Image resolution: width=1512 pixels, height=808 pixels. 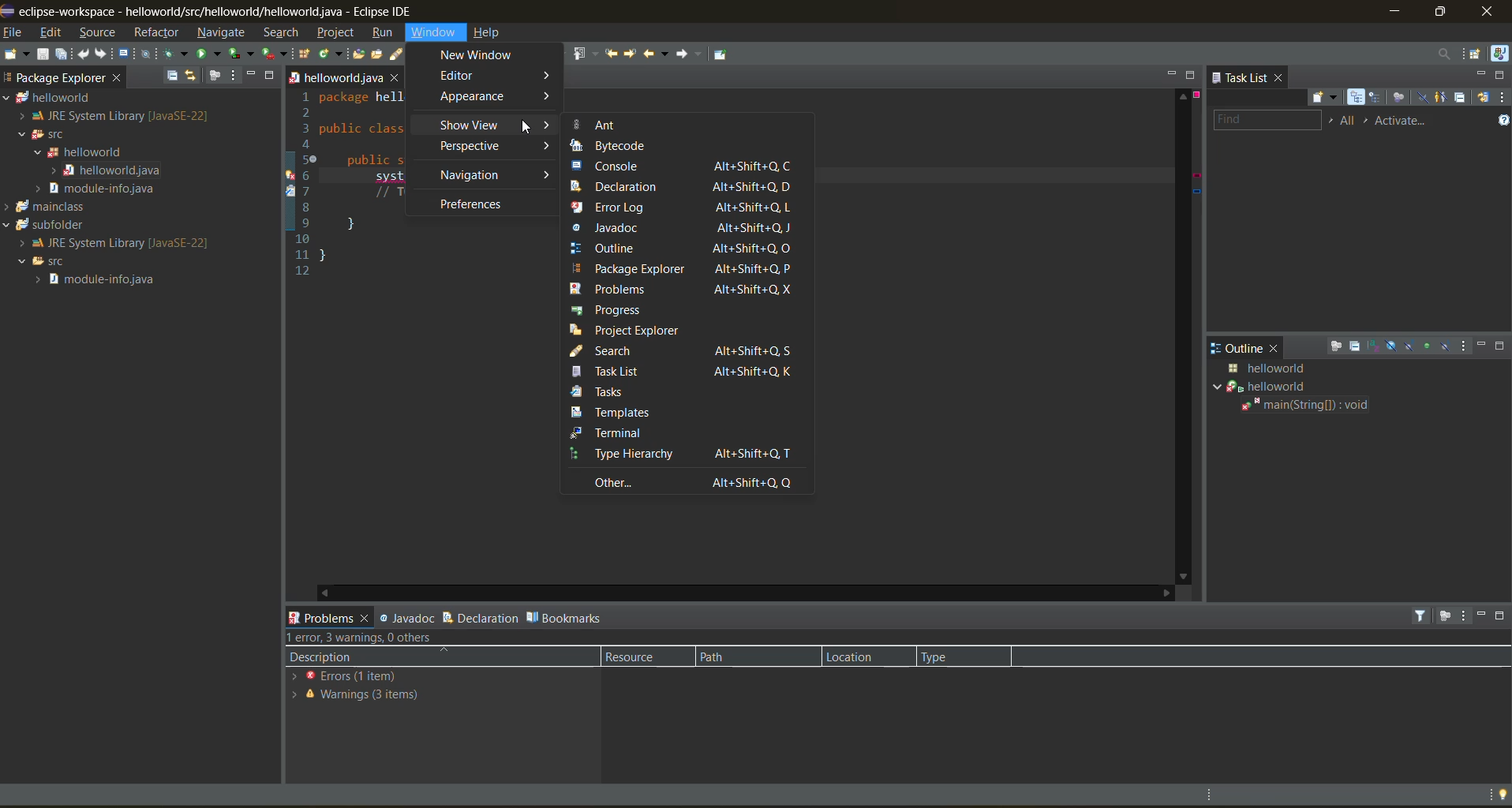 I want to click on 1 package hell 2 3 public class 4 5 public 6 system 7 // T 89} 10 11} 12, so click(x=358, y=182).